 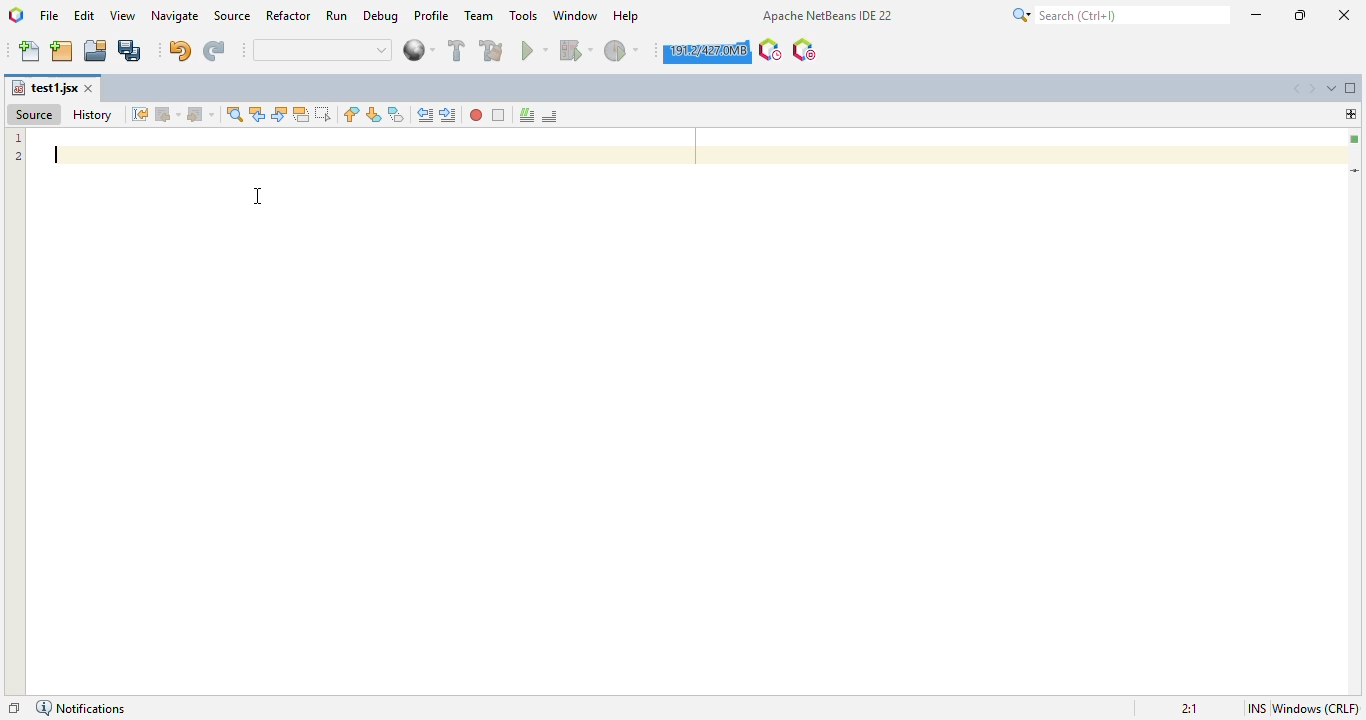 I want to click on pause I/O checks, so click(x=804, y=50).